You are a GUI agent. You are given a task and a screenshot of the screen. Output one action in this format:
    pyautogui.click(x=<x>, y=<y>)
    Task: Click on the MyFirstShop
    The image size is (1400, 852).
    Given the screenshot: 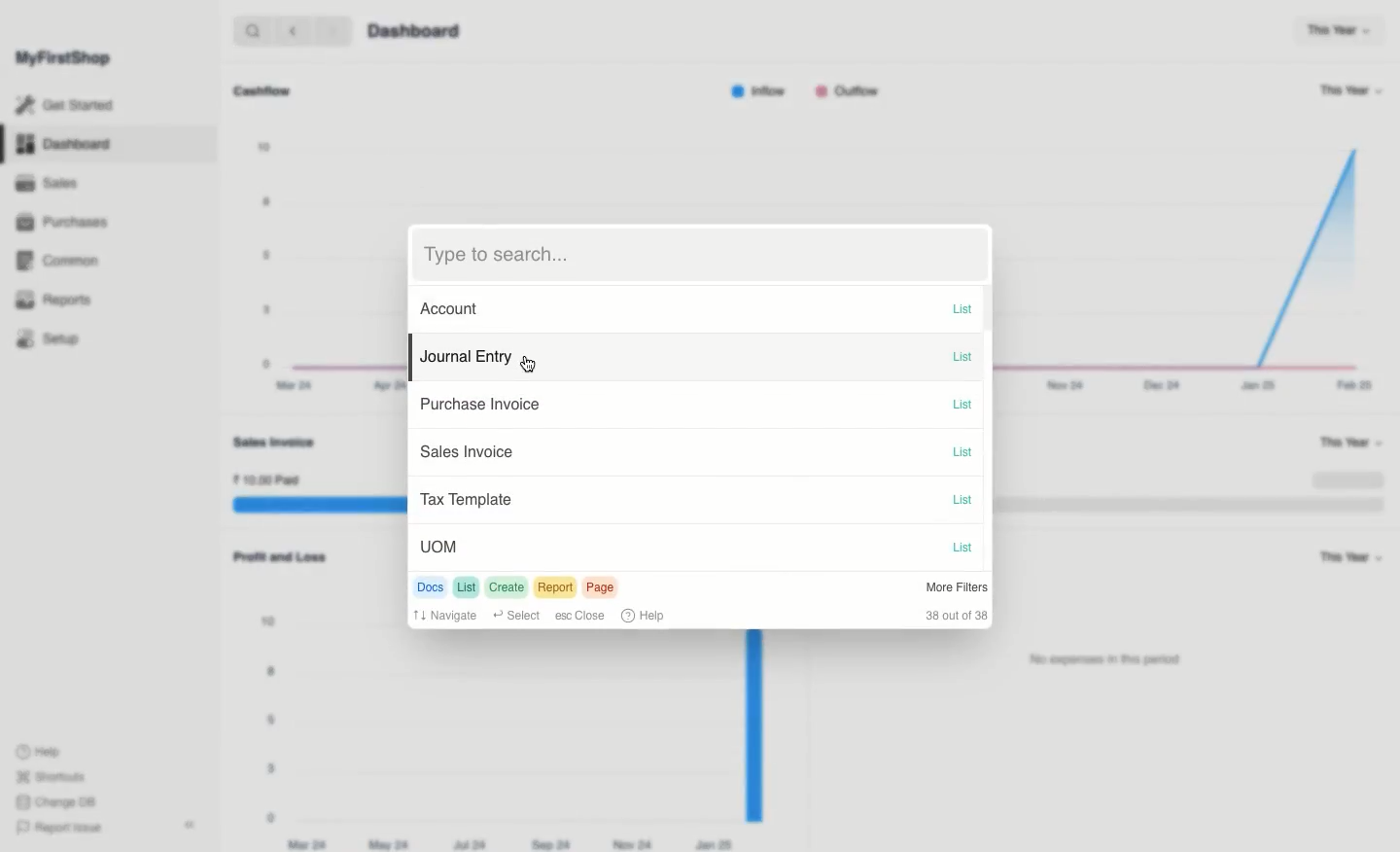 What is the action you would take?
    pyautogui.click(x=61, y=59)
    